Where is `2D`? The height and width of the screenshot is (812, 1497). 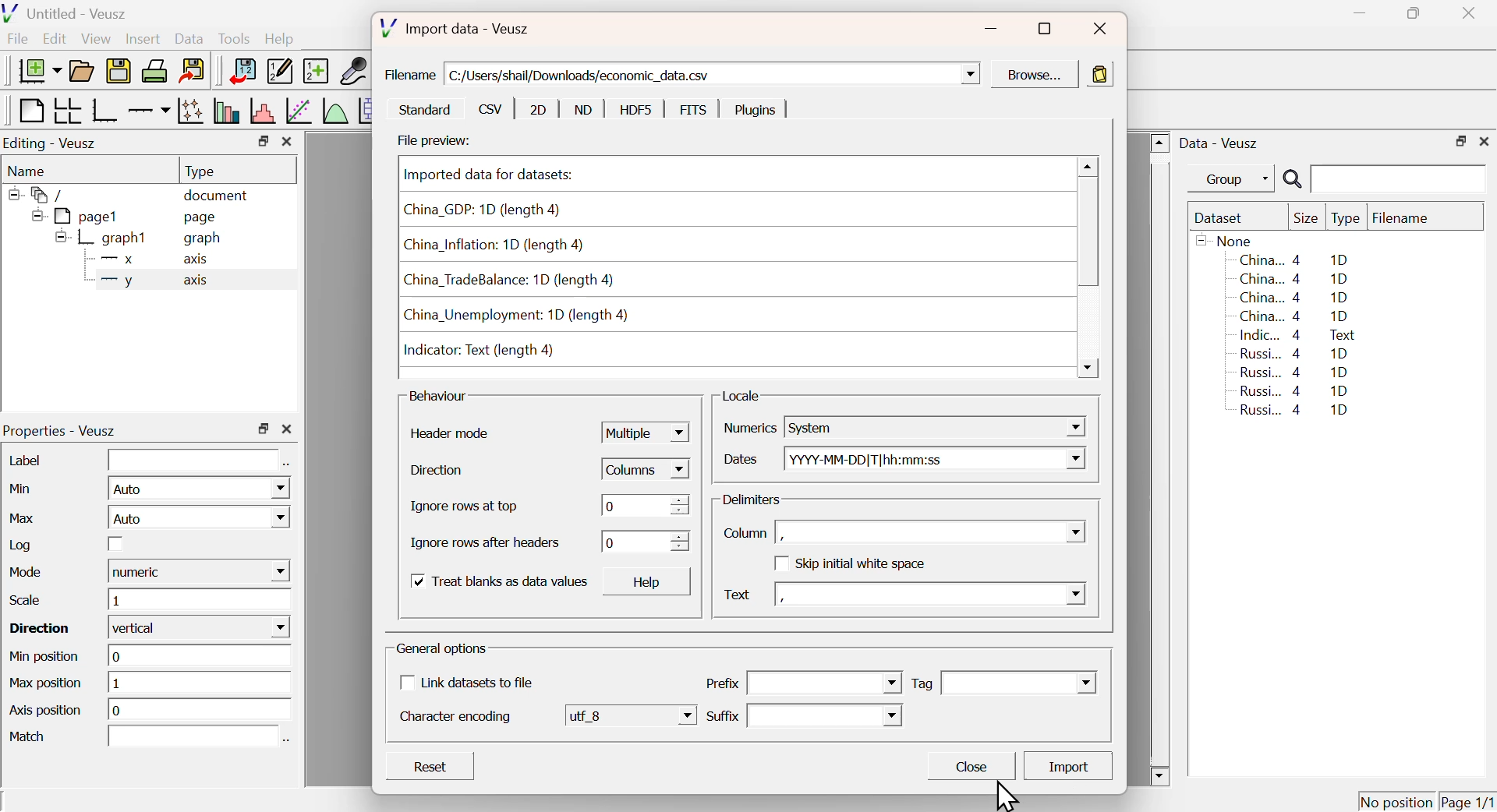
2D is located at coordinates (540, 110).